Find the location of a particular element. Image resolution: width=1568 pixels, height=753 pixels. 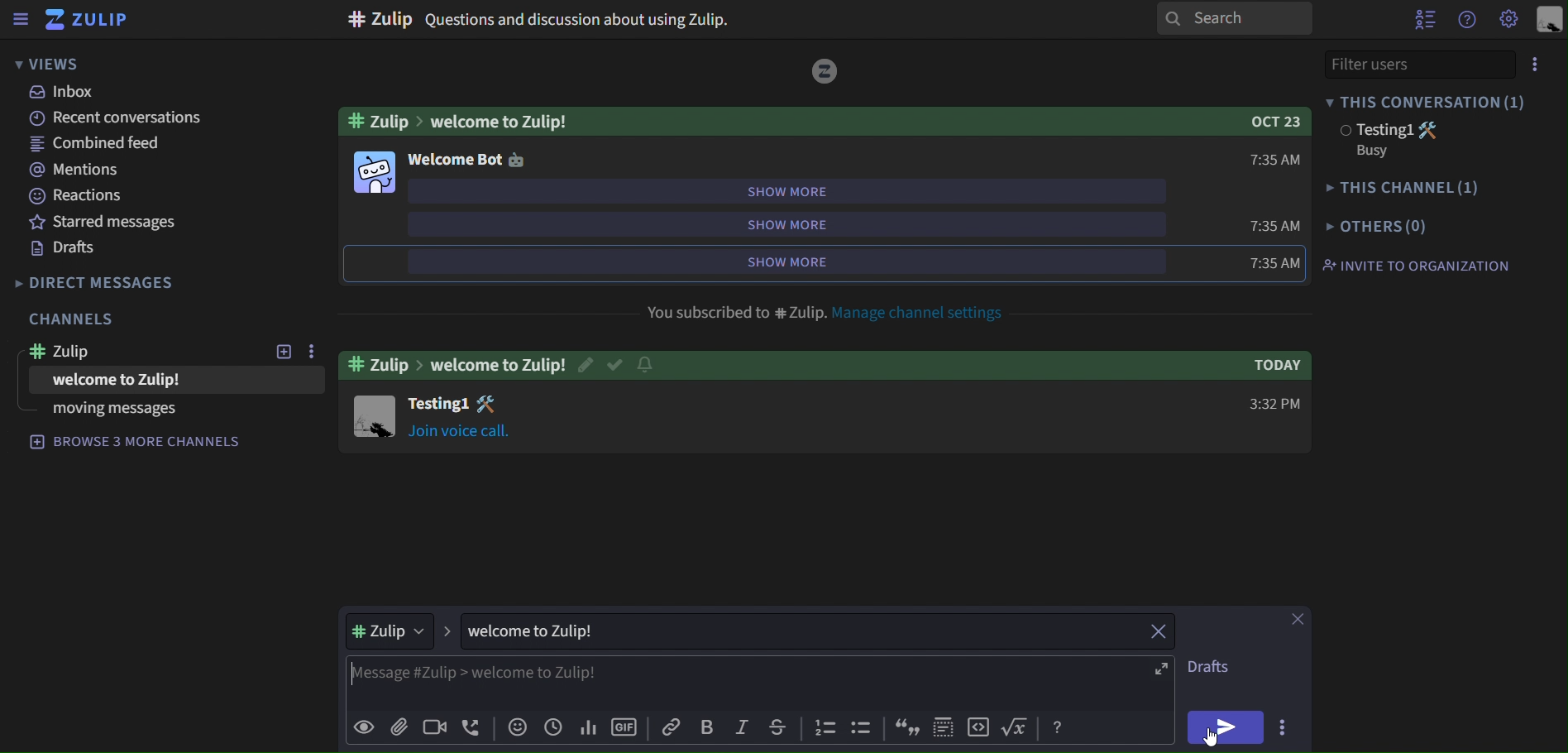

show more is located at coordinates (820, 261).